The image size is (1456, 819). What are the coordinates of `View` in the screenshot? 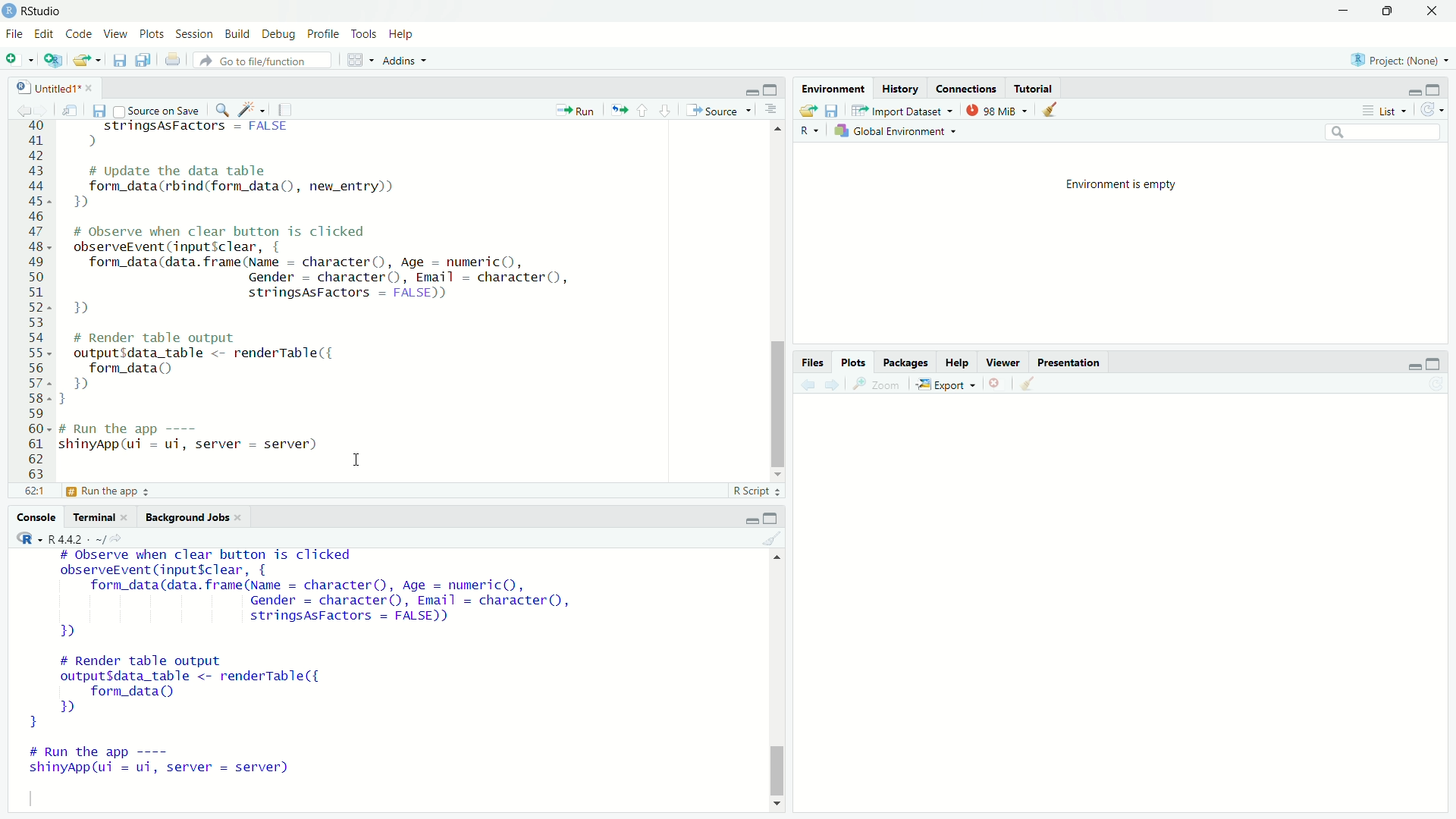 It's located at (118, 35).